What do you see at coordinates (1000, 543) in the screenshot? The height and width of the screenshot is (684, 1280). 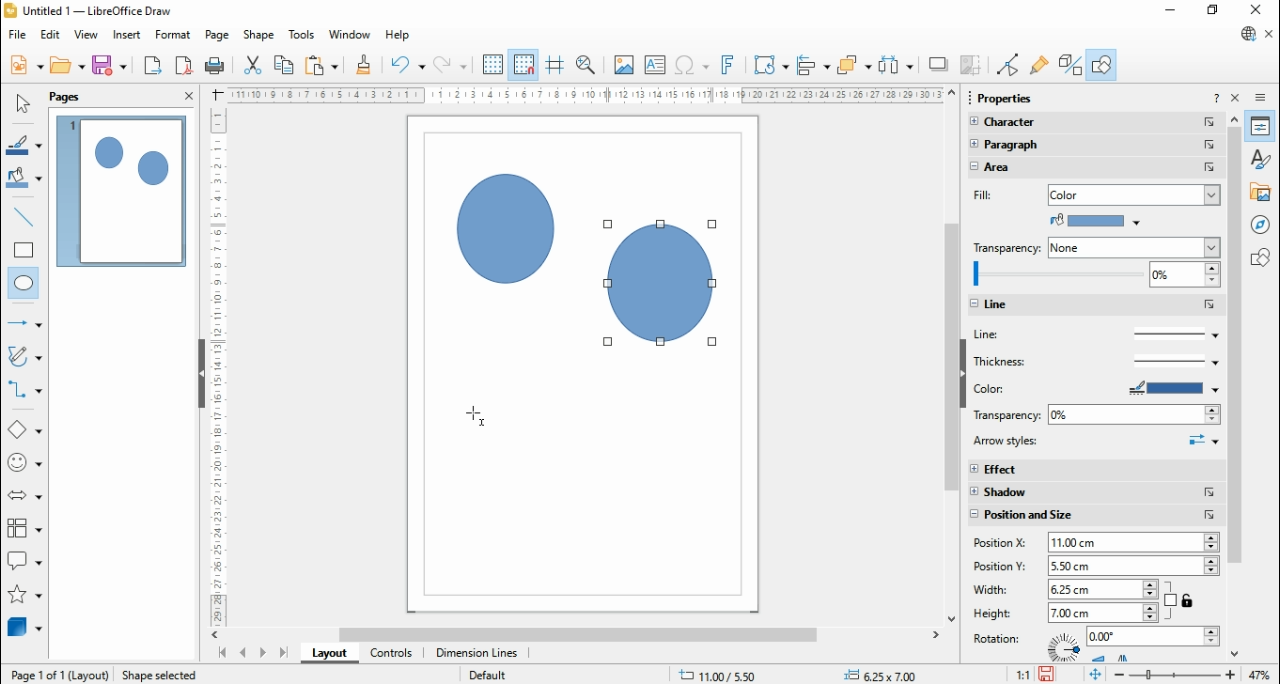 I see `position X` at bounding box center [1000, 543].